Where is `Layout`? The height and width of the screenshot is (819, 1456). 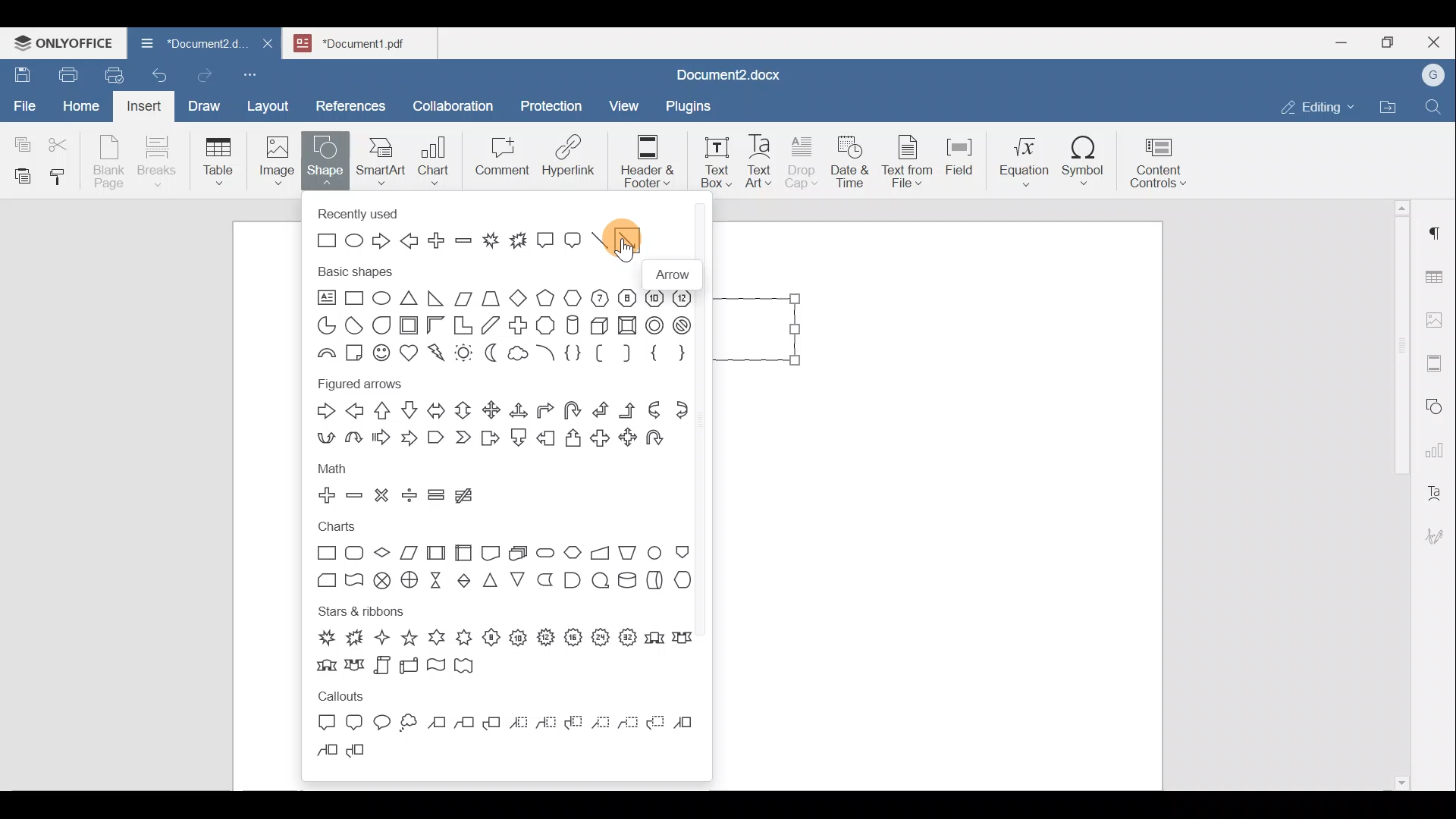 Layout is located at coordinates (271, 103).